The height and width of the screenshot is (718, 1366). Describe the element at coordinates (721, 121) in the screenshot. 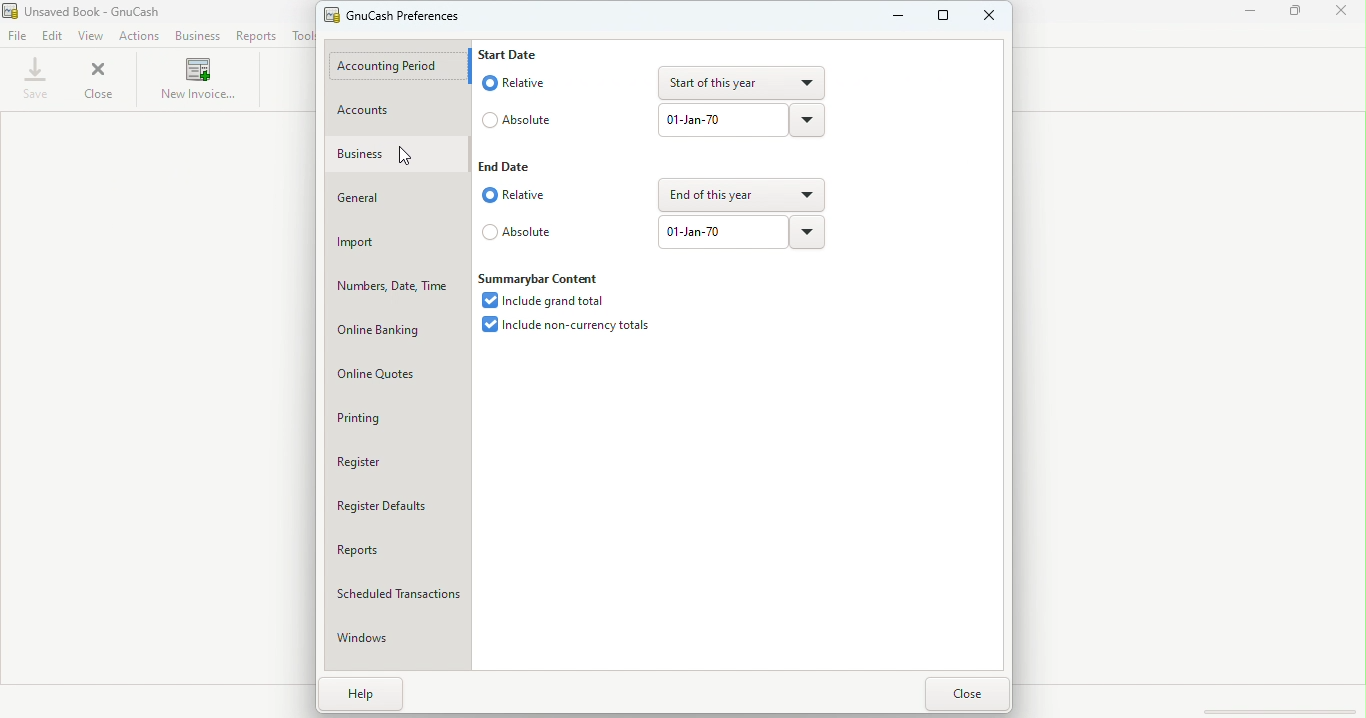

I see `Text box` at that location.